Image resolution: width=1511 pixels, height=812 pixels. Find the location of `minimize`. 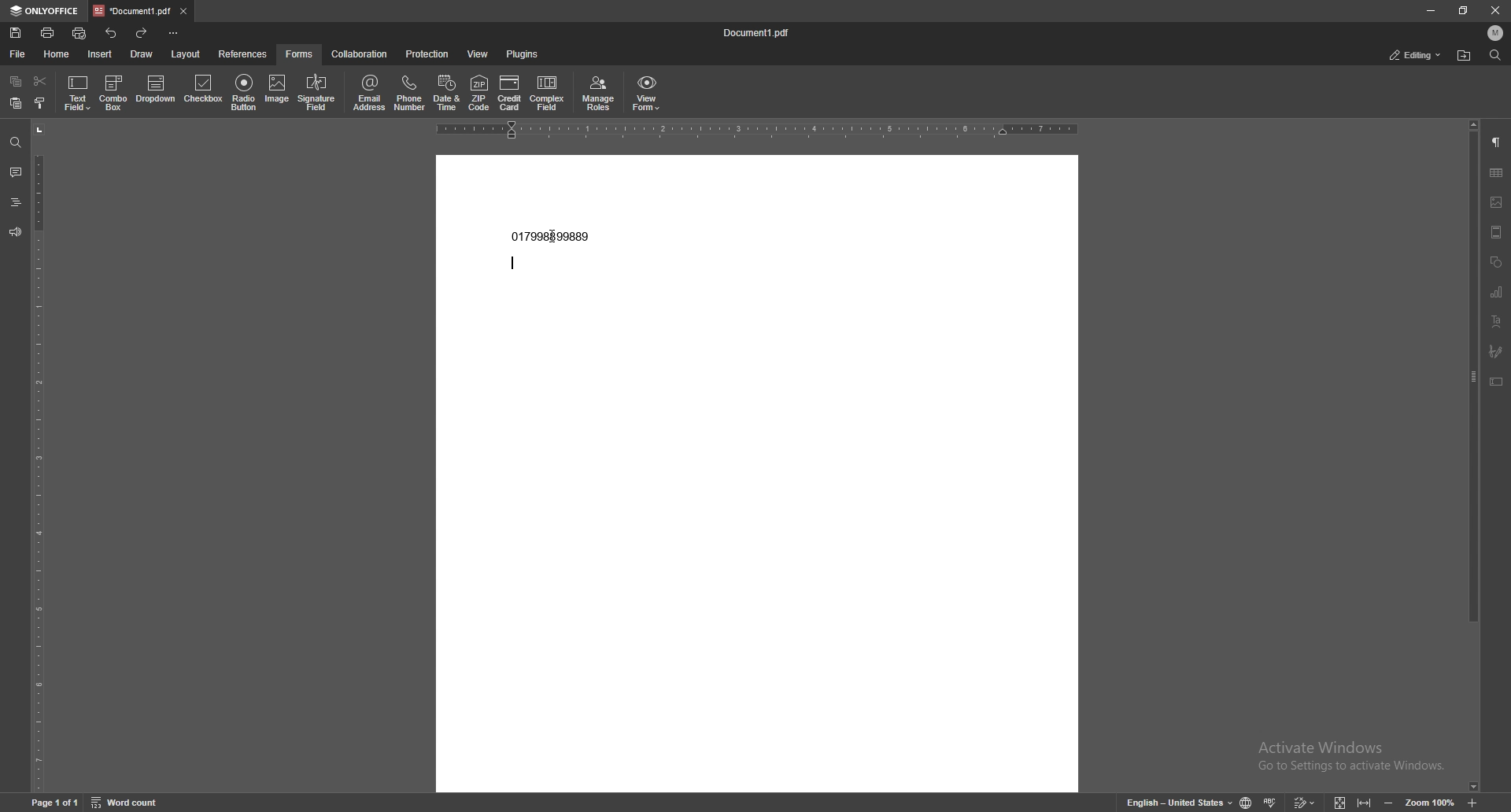

minimize is located at coordinates (1431, 10).